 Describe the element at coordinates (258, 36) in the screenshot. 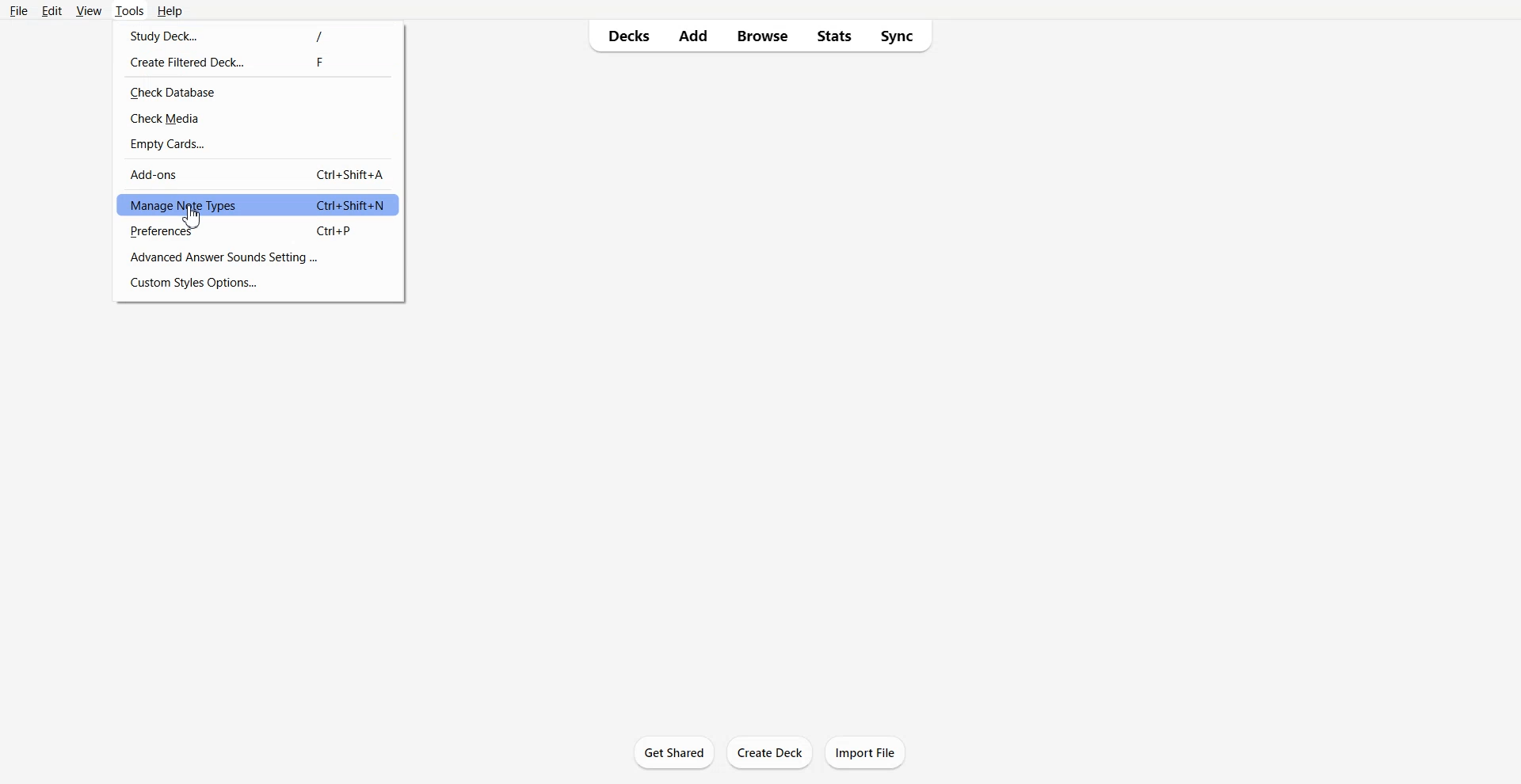

I see `Study Deck` at that location.